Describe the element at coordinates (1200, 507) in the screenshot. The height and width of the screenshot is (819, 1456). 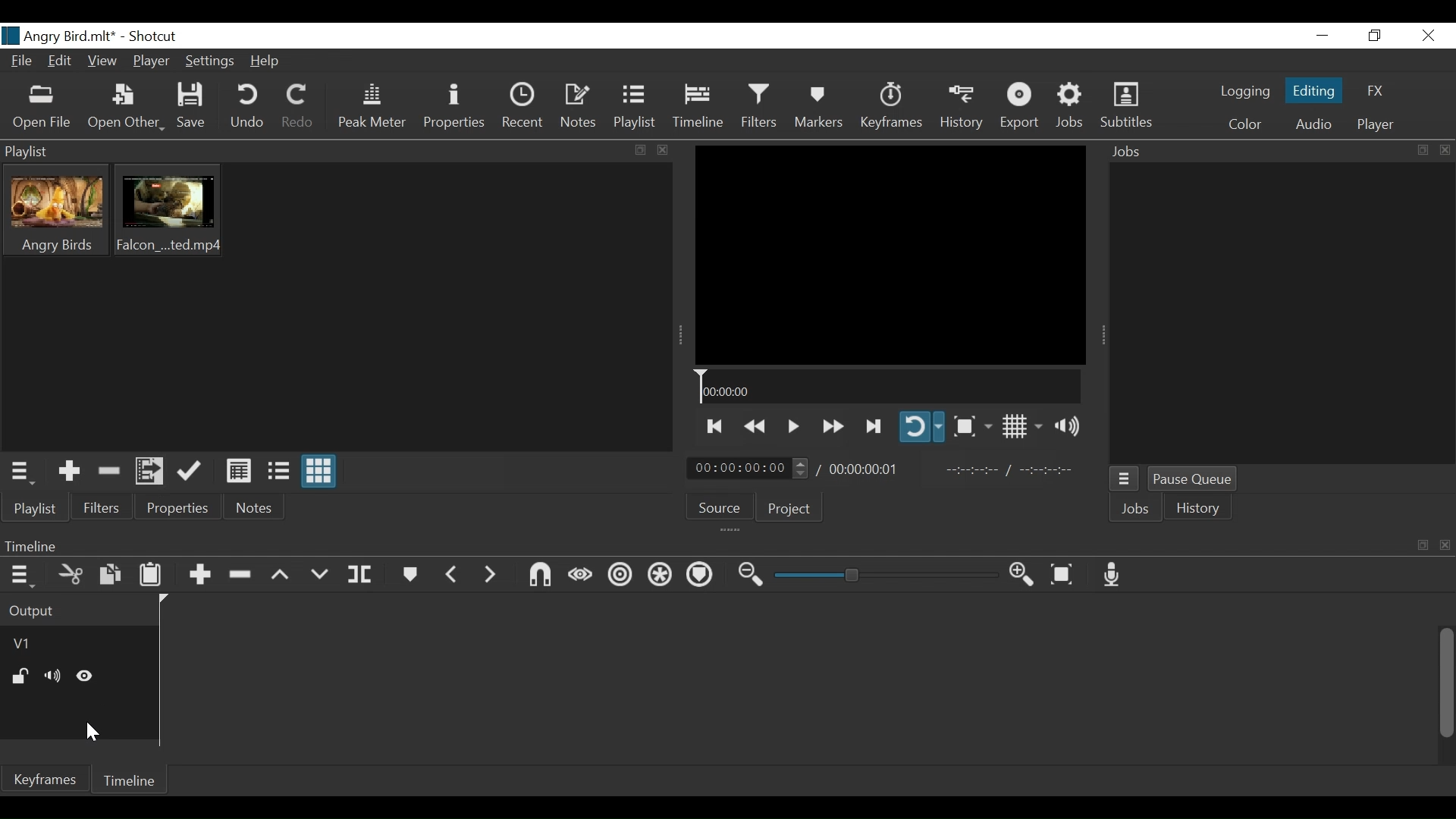
I see `istory` at that location.